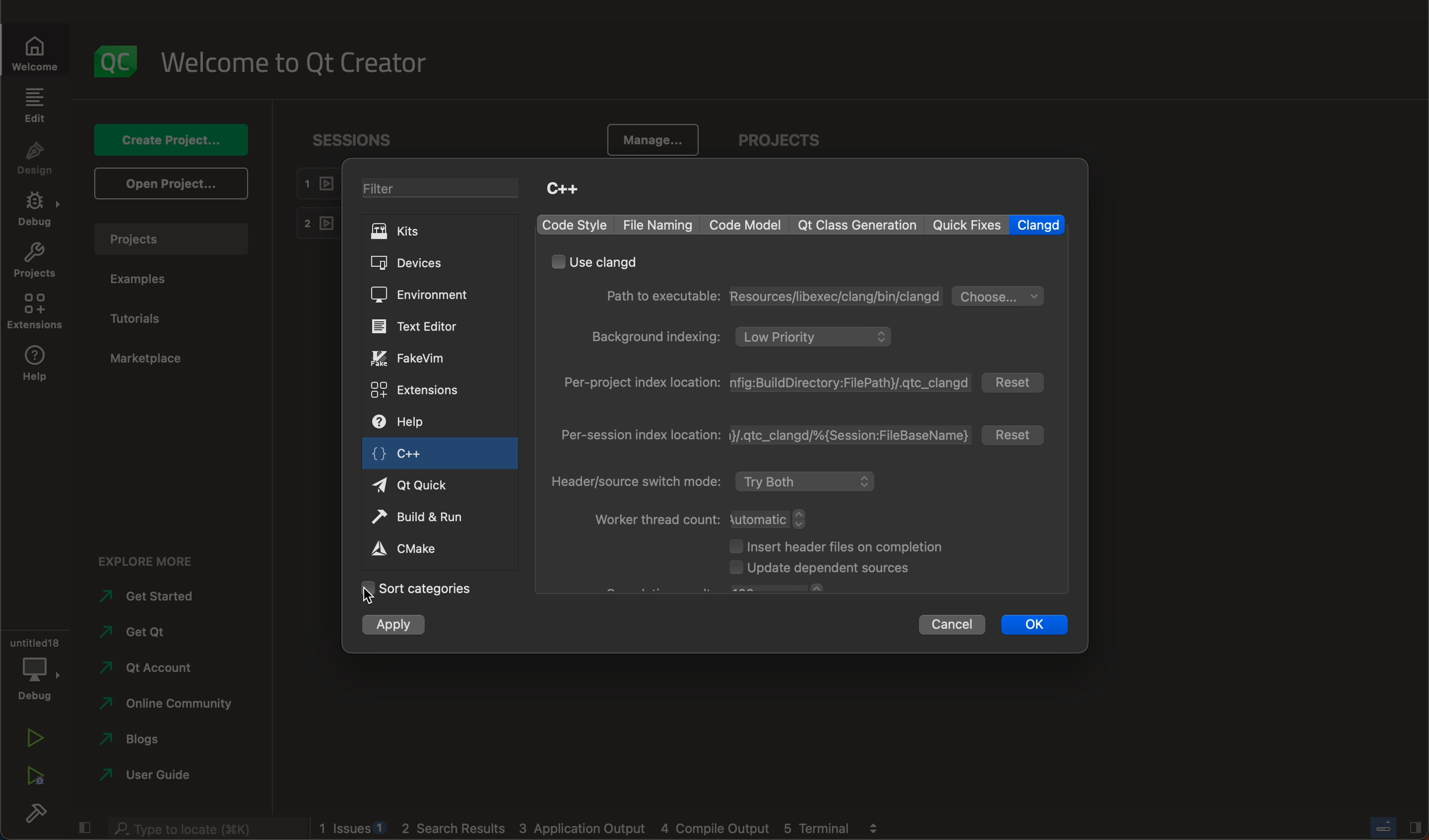 This screenshot has height=840, width=1429. Describe the element at coordinates (768, 384) in the screenshot. I see `index location` at that location.